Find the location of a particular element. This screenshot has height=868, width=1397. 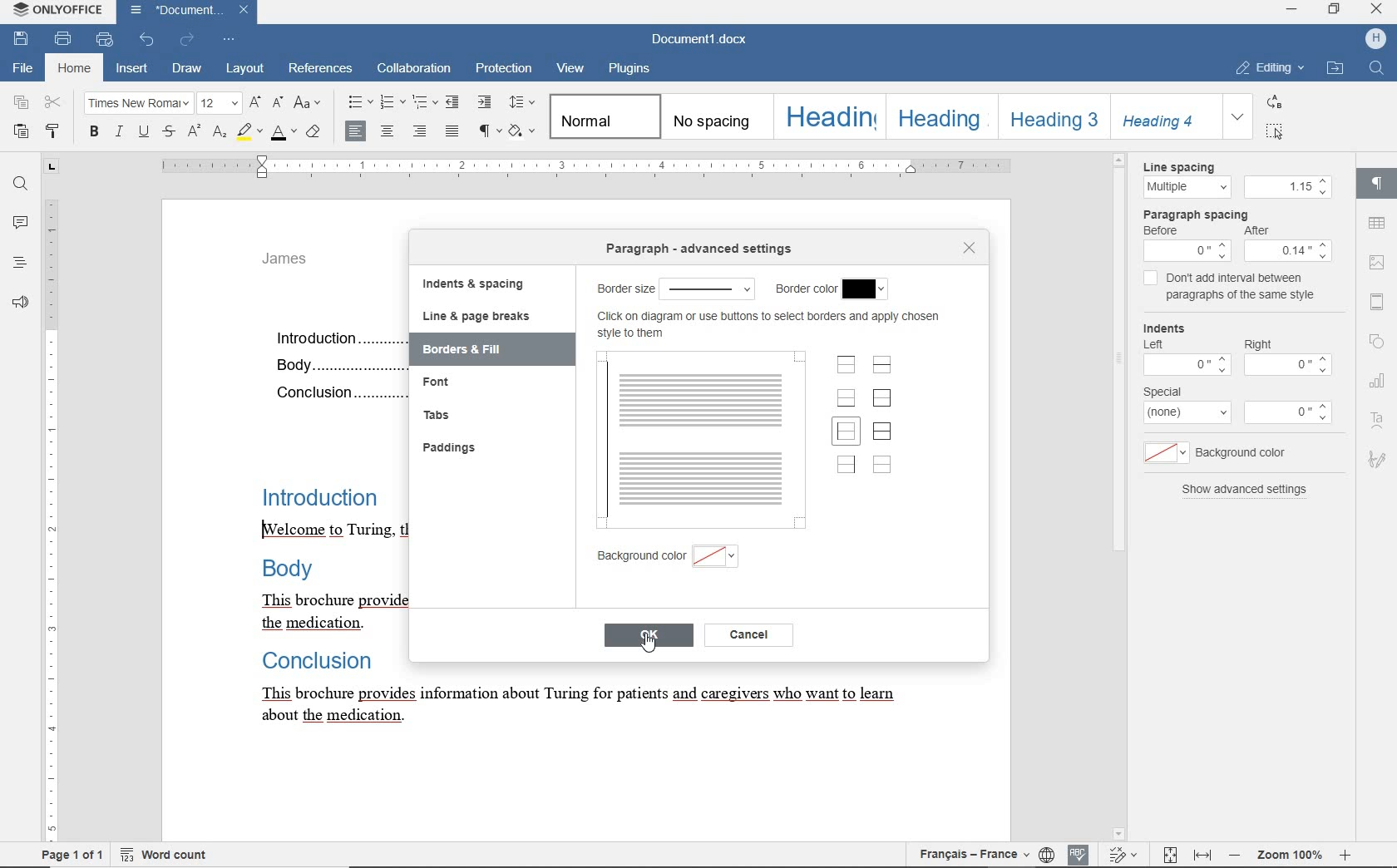

close is located at coordinates (969, 249).